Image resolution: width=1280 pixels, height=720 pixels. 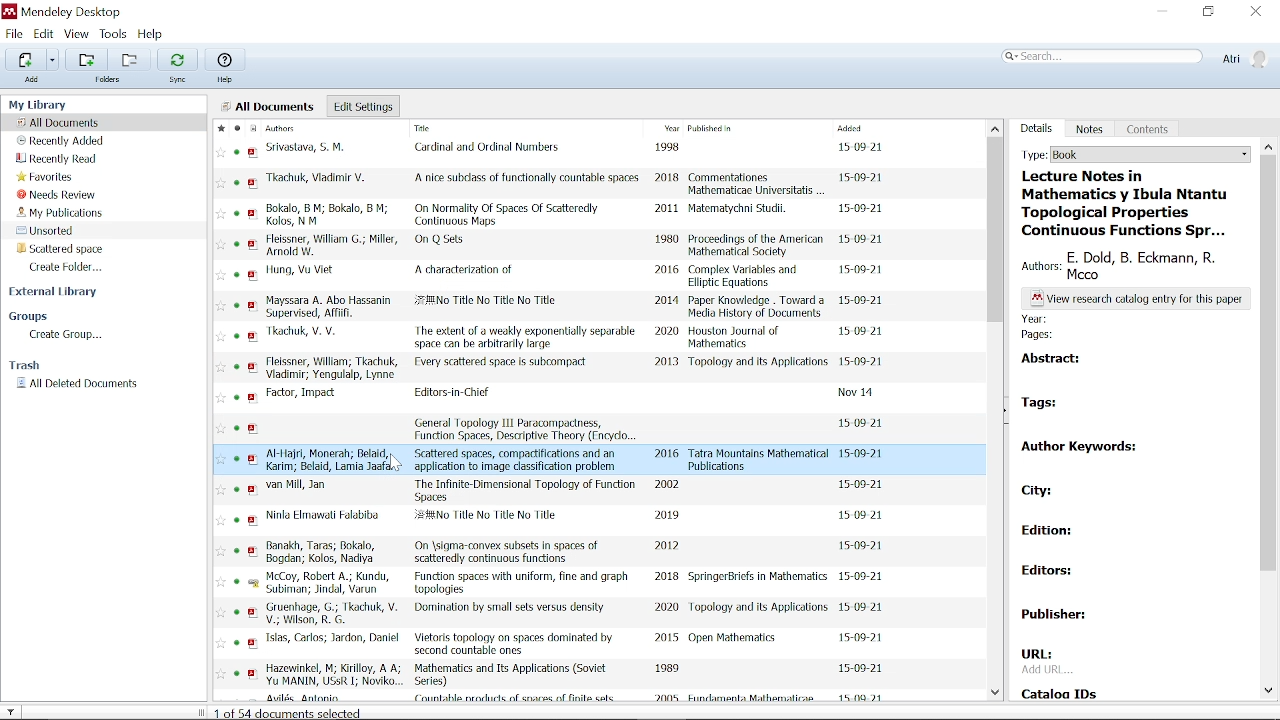 What do you see at coordinates (220, 414) in the screenshot?
I see `favorites` at bounding box center [220, 414].